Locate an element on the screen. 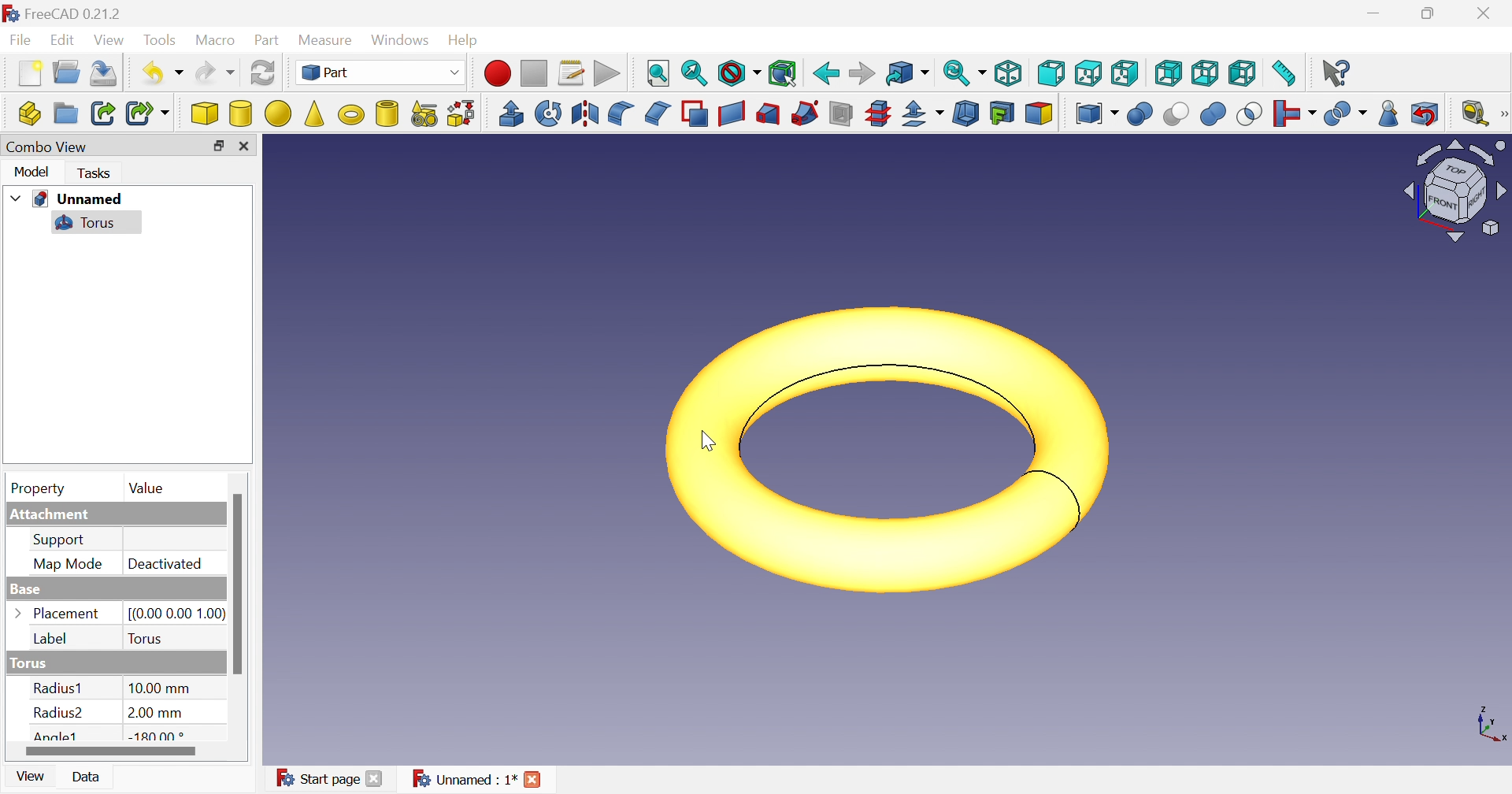 The width and height of the screenshot is (1512, 794). Torus is located at coordinates (348, 115).